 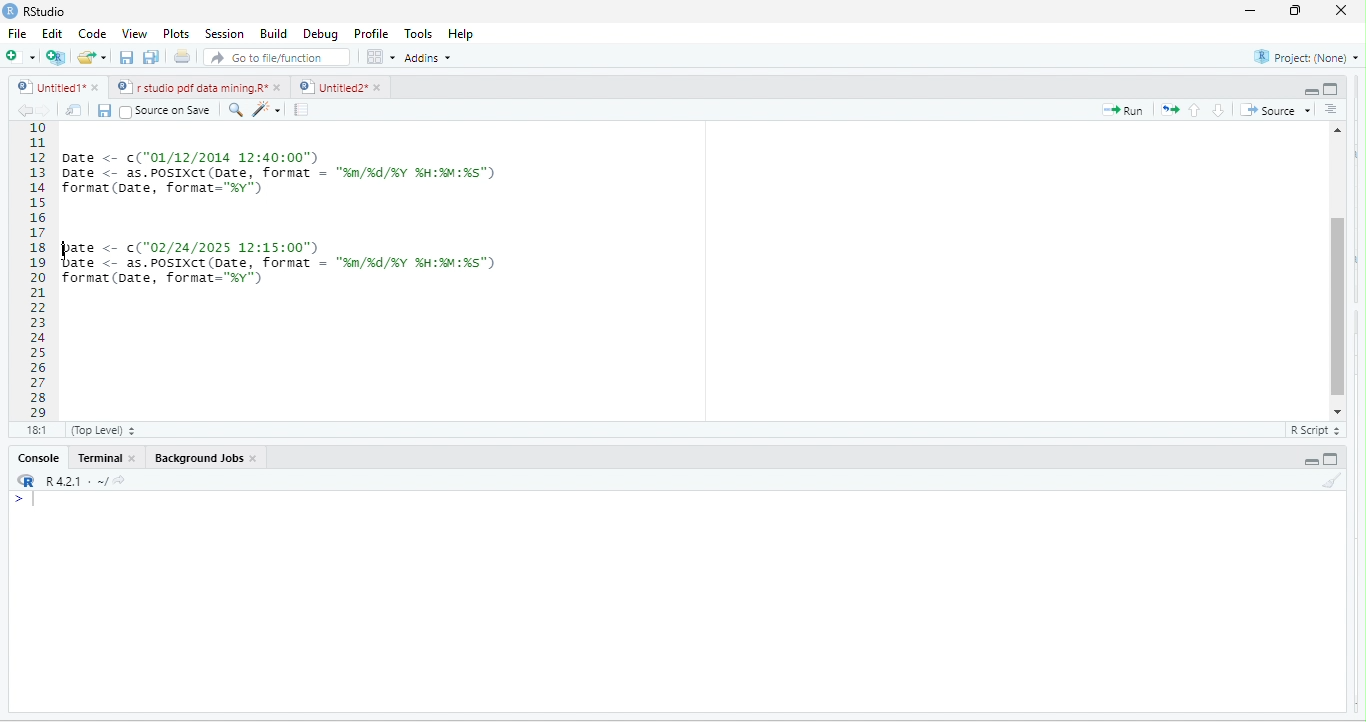 What do you see at coordinates (193, 88) in the screenshot?
I see `© | r studio pdf data mining.R*` at bounding box center [193, 88].